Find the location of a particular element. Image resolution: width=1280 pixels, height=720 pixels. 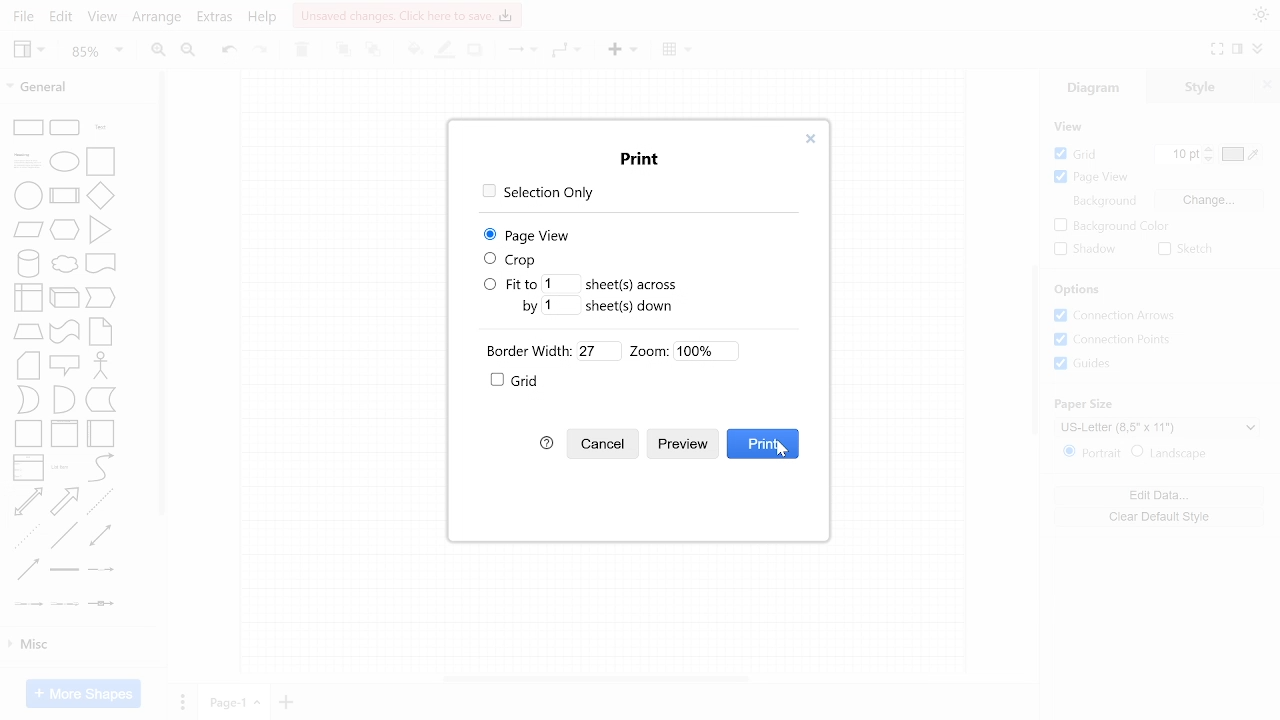

Horizontal container is located at coordinates (100, 434).